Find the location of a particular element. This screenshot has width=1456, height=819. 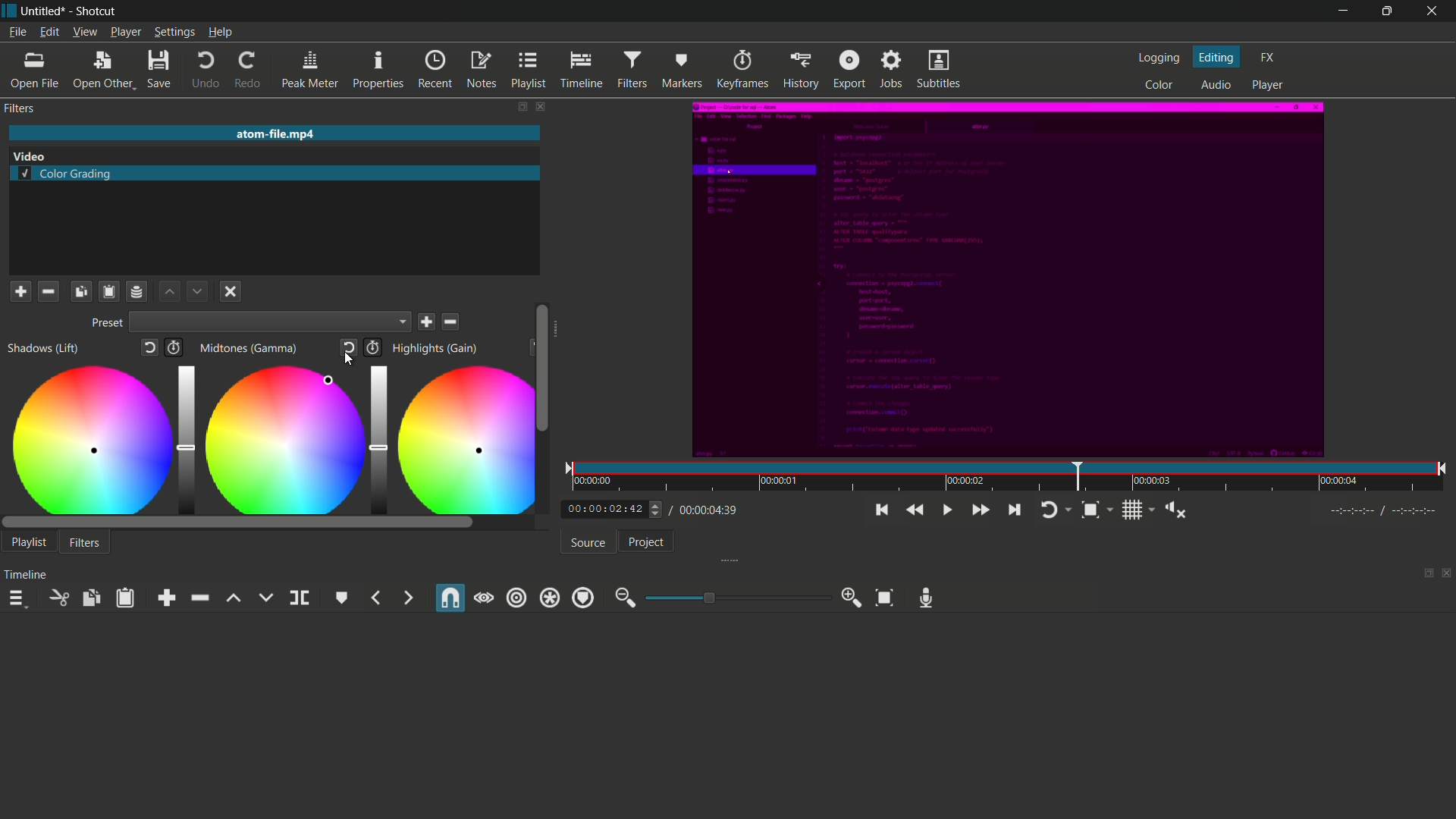

color is located at coordinates (1160, 84).